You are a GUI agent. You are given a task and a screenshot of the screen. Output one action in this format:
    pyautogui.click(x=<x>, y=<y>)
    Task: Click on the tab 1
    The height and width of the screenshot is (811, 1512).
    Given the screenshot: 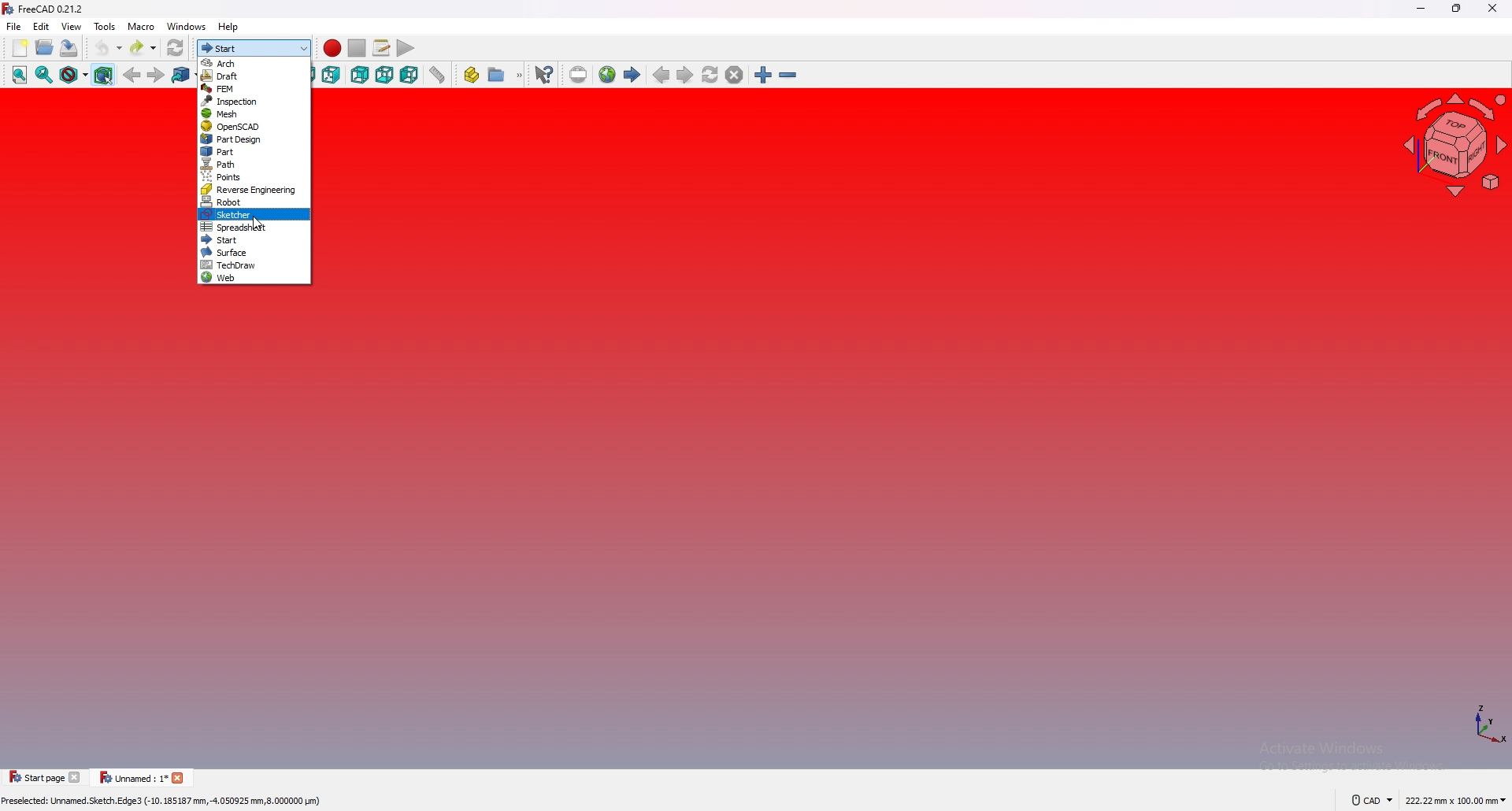 What is the action you would take?
    pyautogui.click(x=45, y=776)
    